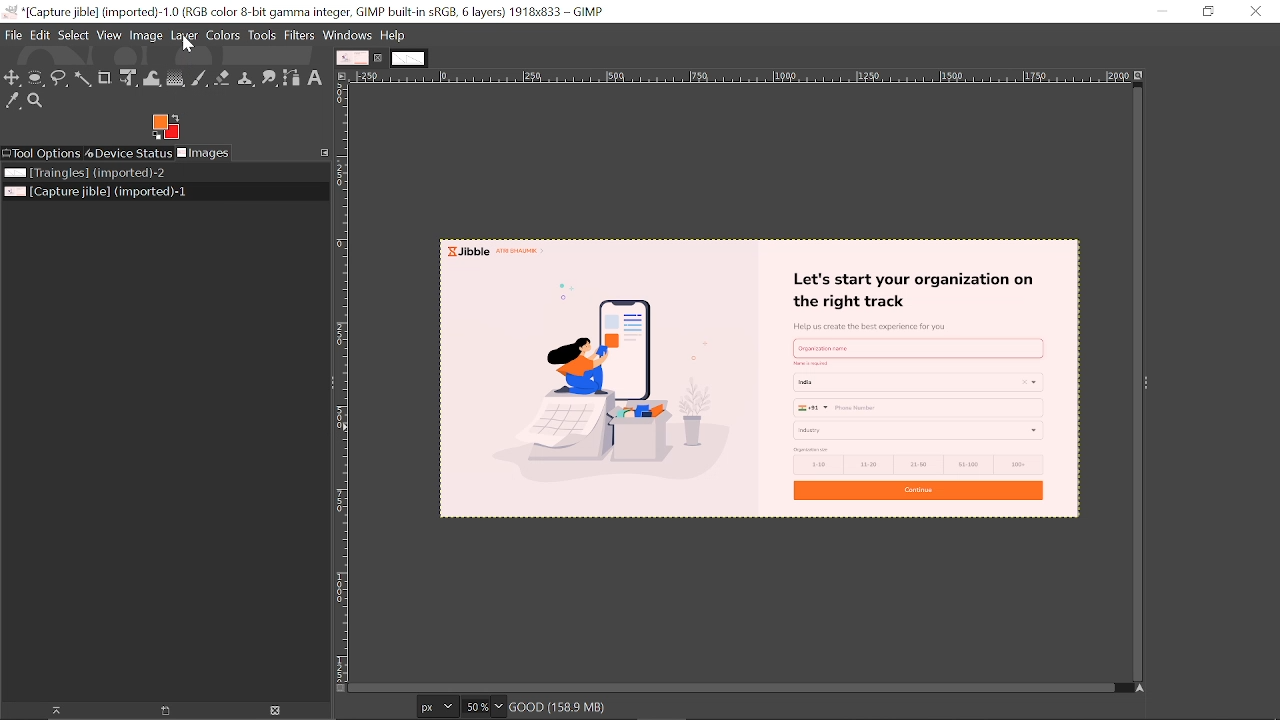  What do you see at coordinates (127, 154) in the screenshot?
I see `Device status` at bounding box center [127, 154].